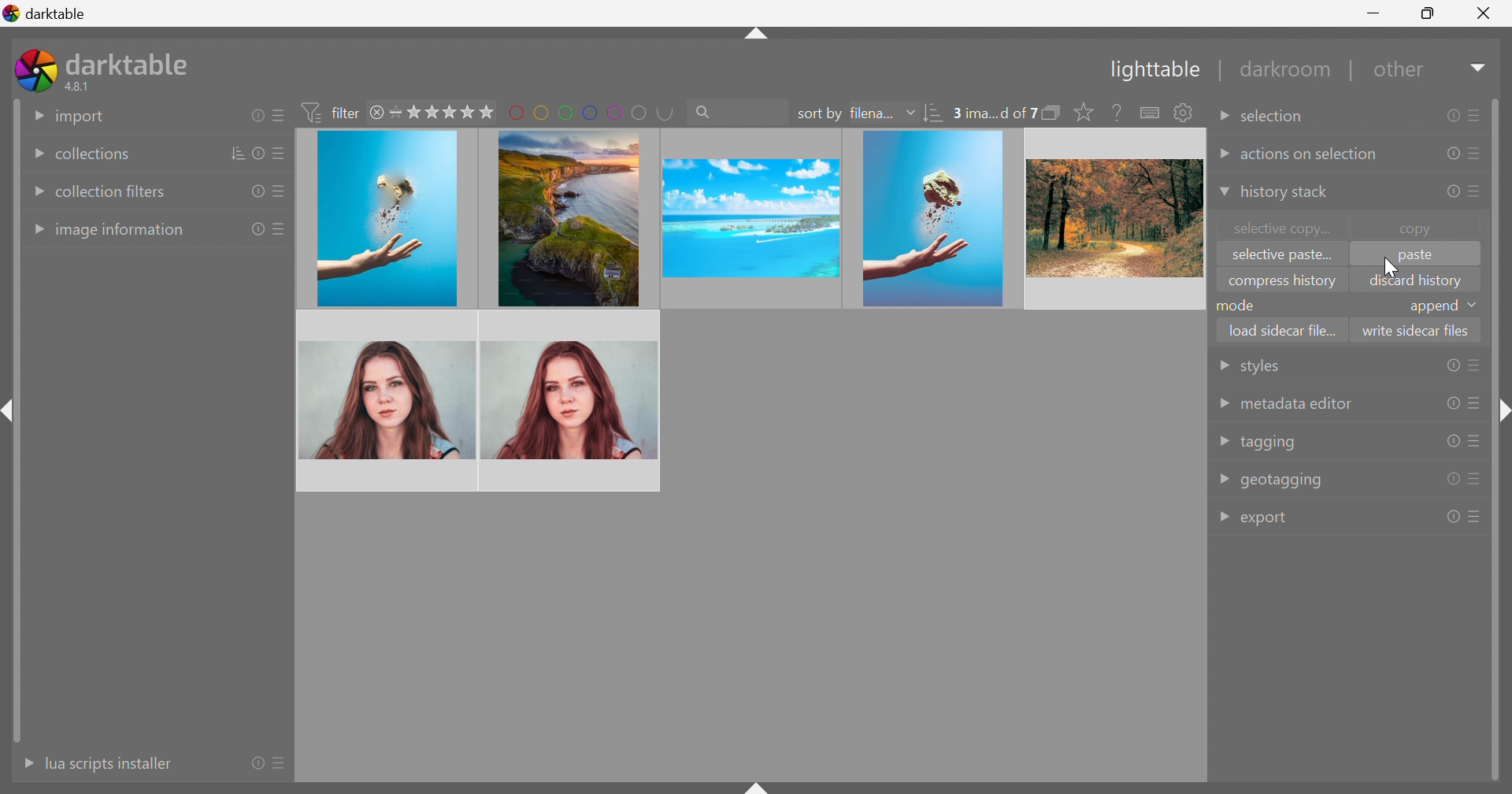  Describe the element at coordinates (388, 400) in the screenshot. I see `image` at that location.